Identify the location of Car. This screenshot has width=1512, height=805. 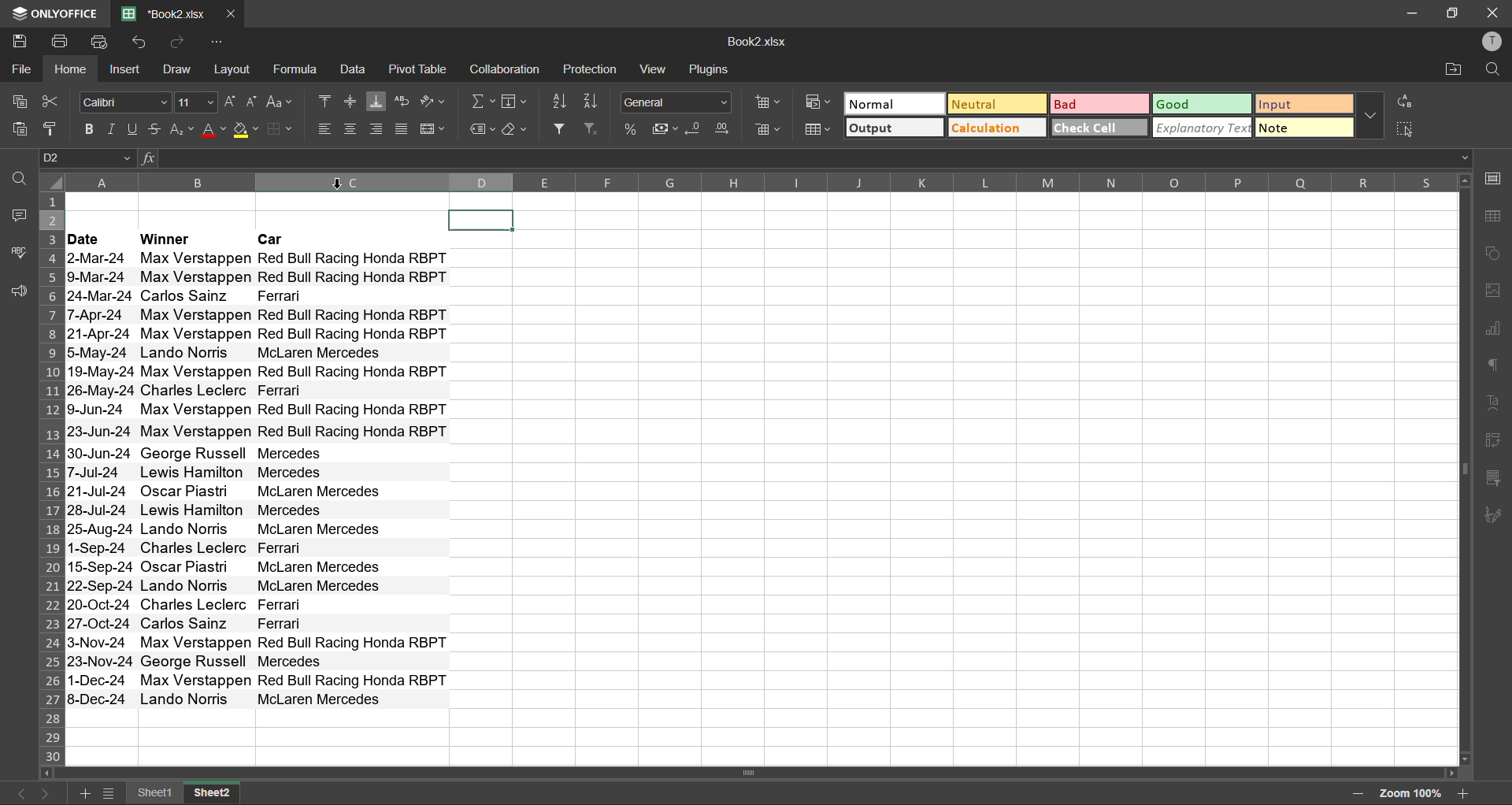
(350, 238).